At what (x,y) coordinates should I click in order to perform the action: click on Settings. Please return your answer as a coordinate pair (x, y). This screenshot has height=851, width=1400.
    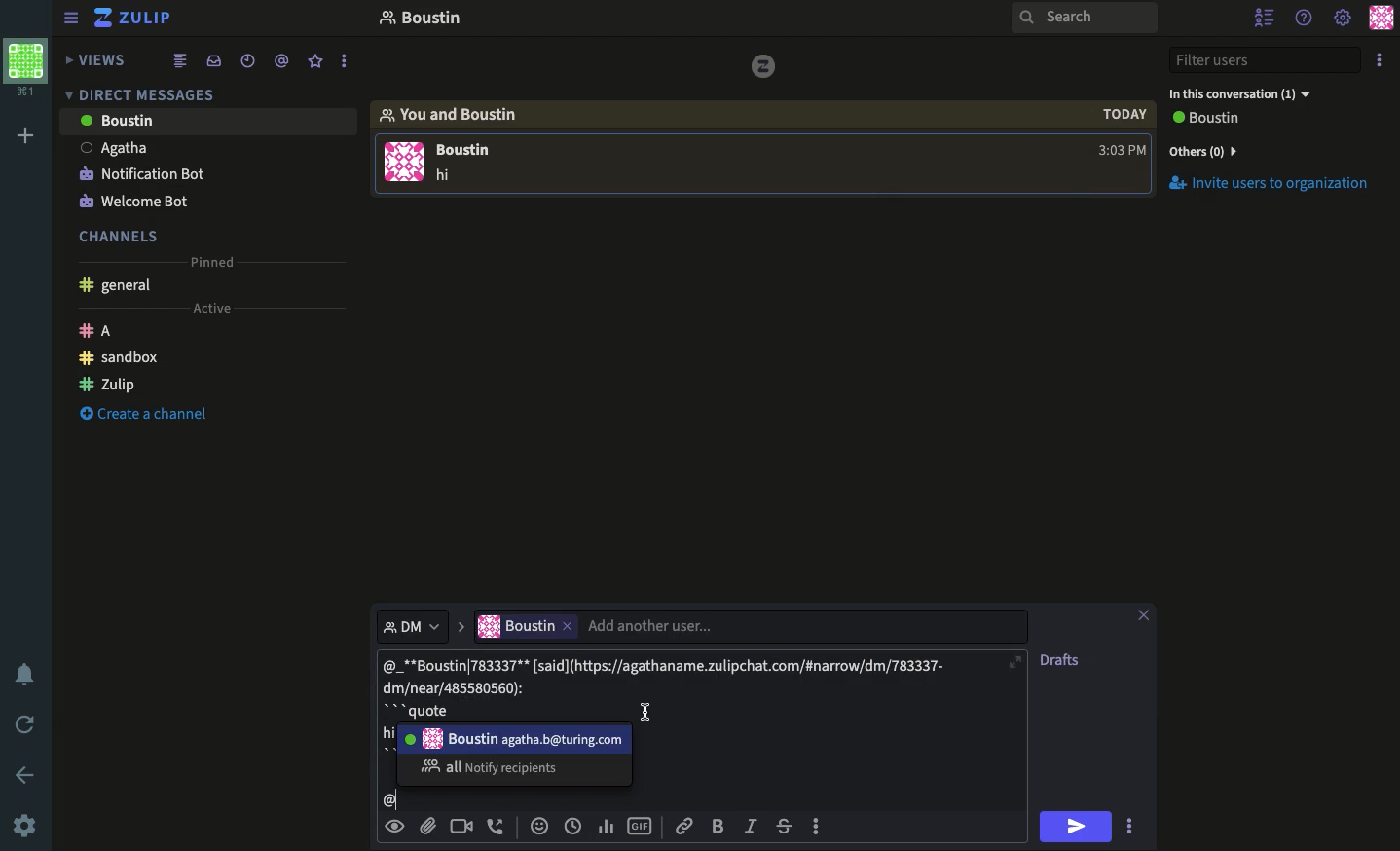
    Looking at the image, I should click on (1342, 18).